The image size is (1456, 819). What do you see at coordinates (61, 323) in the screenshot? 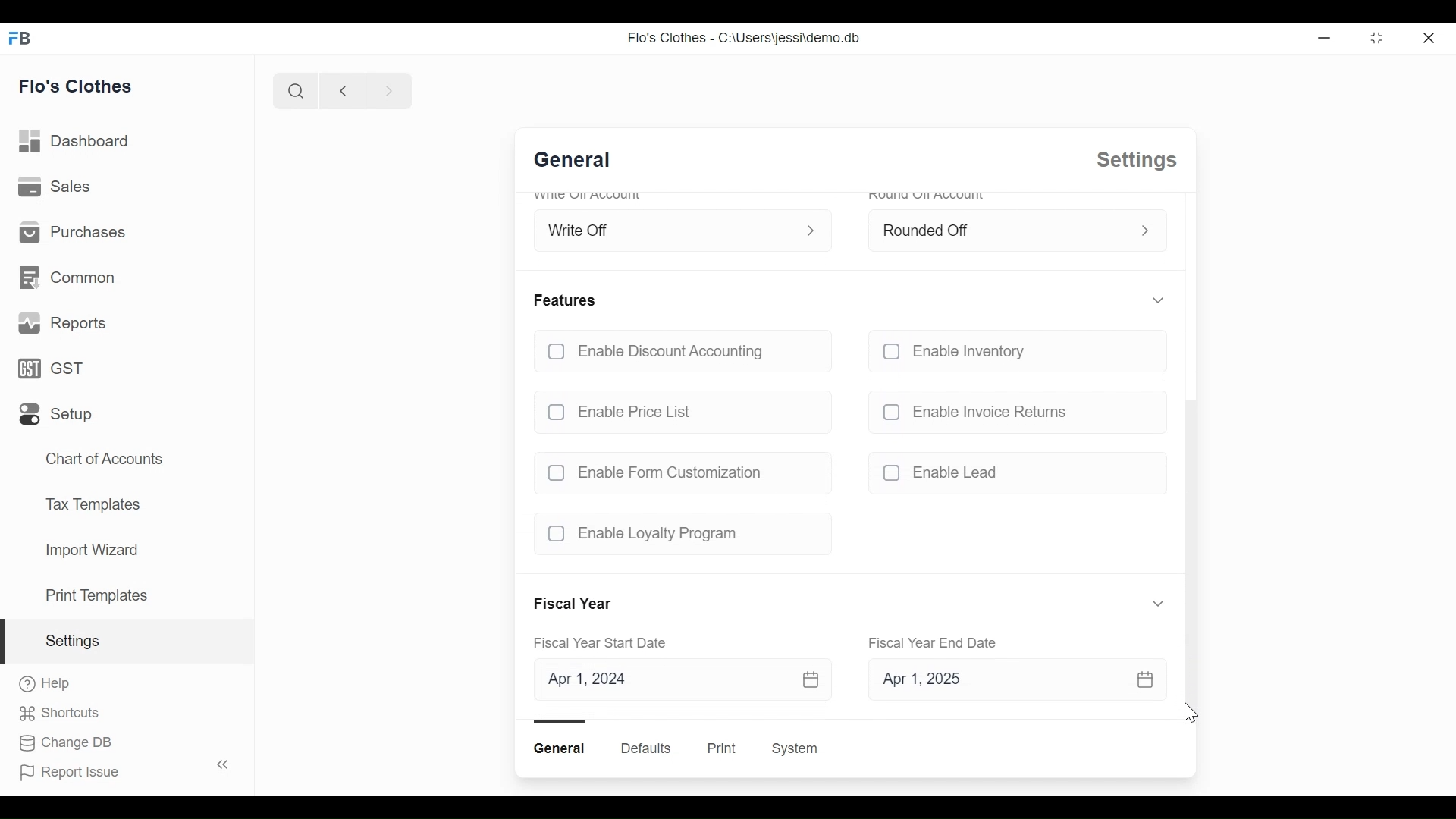
I see `Reports` at bounding box center [61, 323].